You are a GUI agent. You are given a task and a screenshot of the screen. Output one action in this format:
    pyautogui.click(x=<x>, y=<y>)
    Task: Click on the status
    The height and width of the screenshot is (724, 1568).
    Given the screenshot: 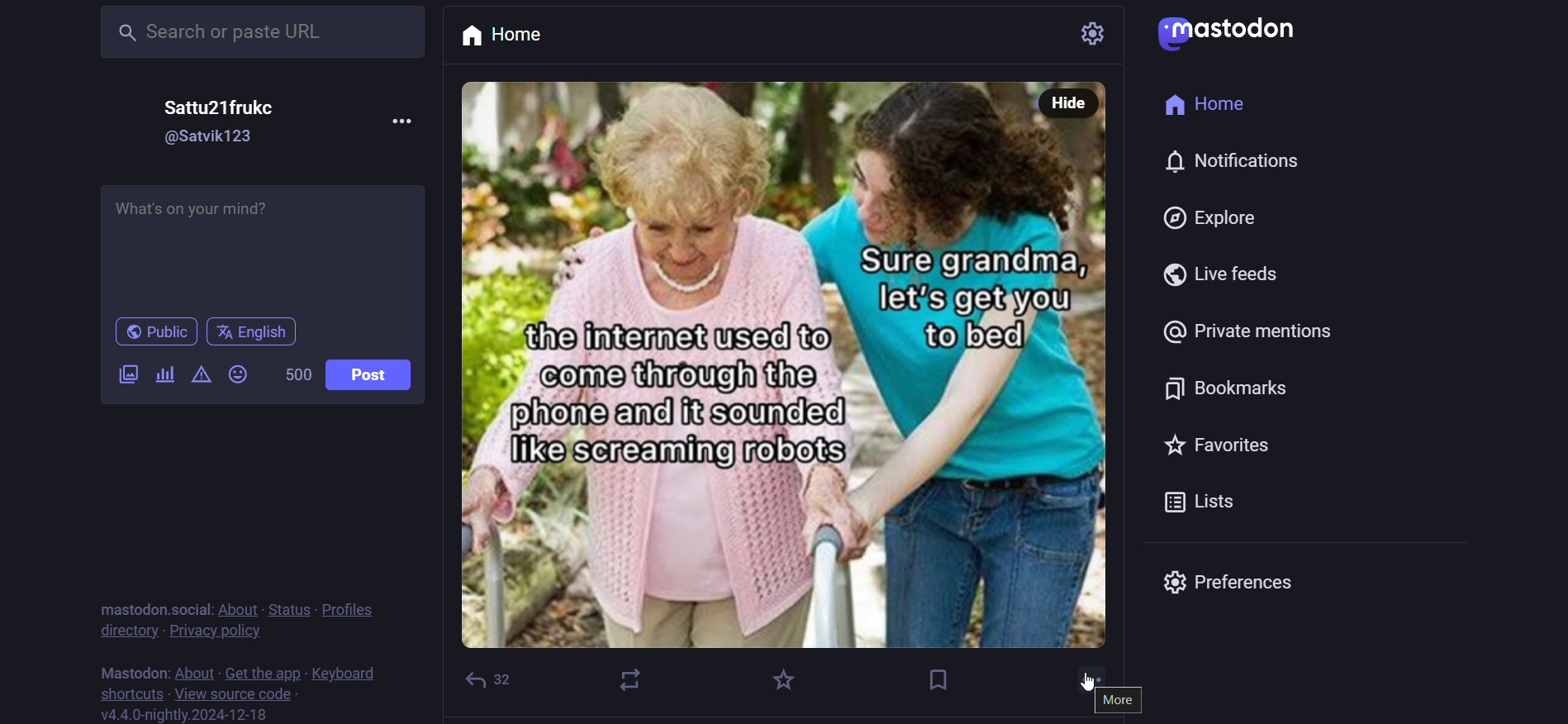 What is the action you would take?
    pyautogui.click(x=291, y=606)
    